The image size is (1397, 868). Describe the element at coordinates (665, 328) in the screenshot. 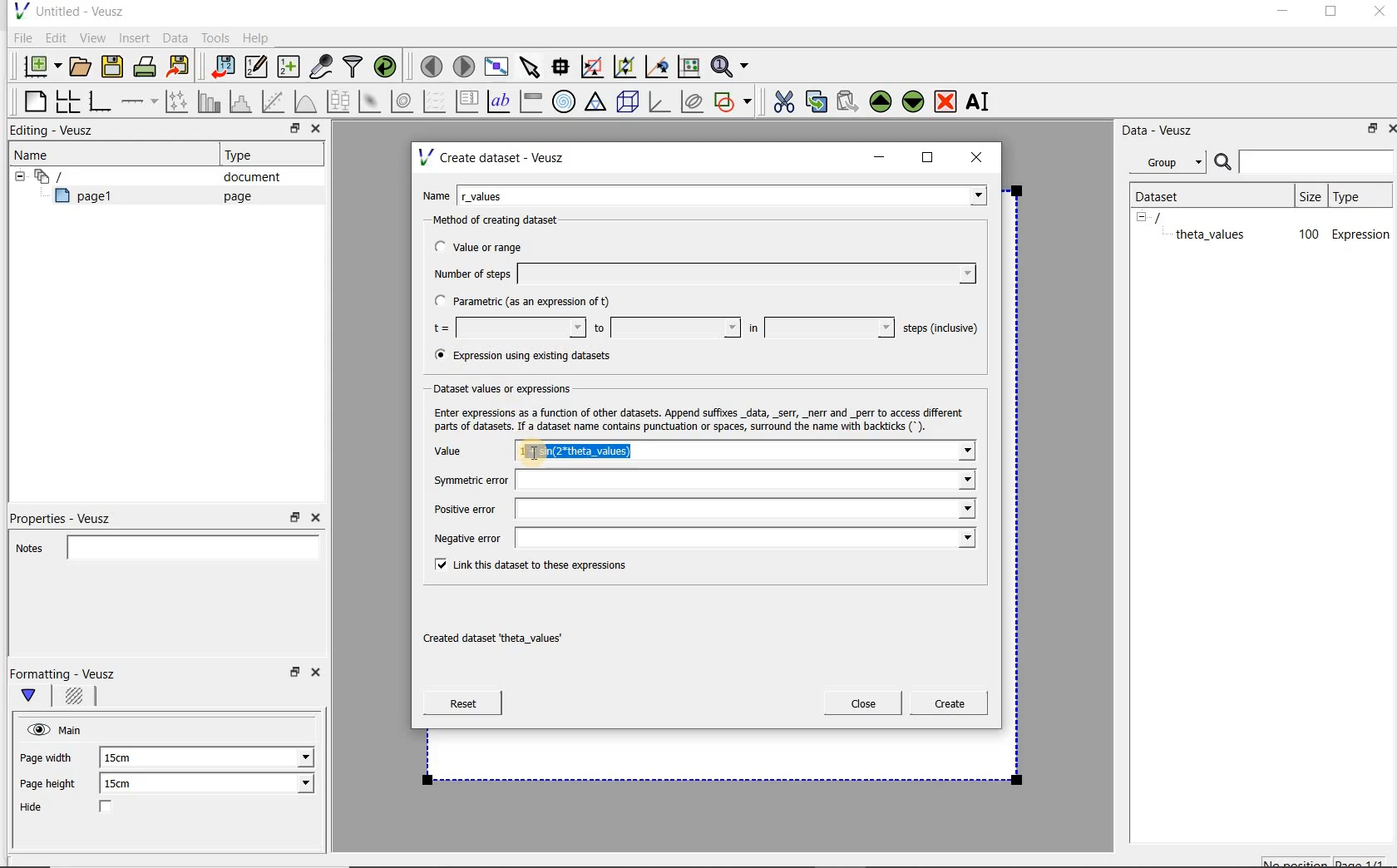

I see `to` at that location.